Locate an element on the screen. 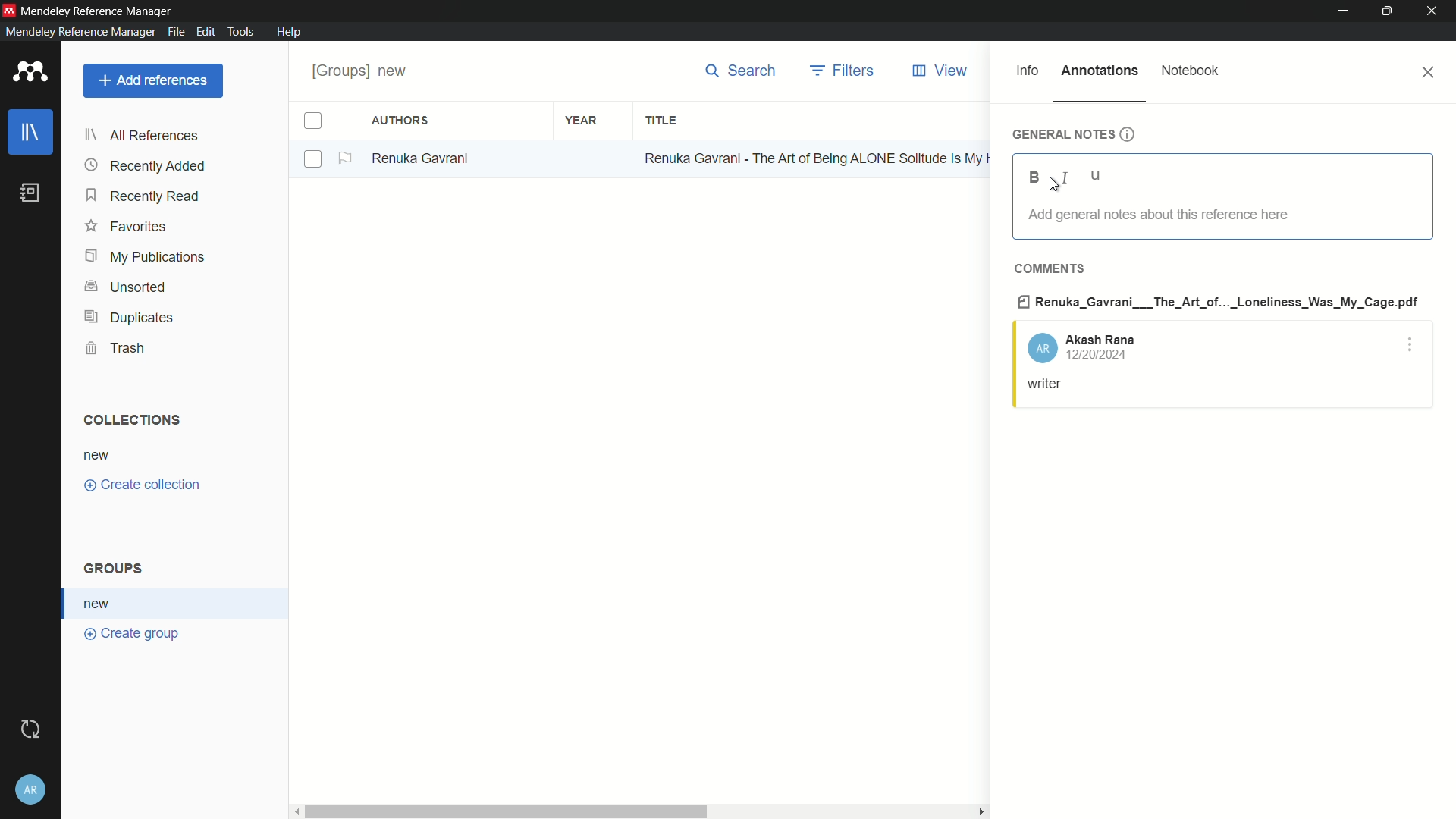 The width and height of the screenshot is (1456, 819). app name is located at coordinates (99, 9).